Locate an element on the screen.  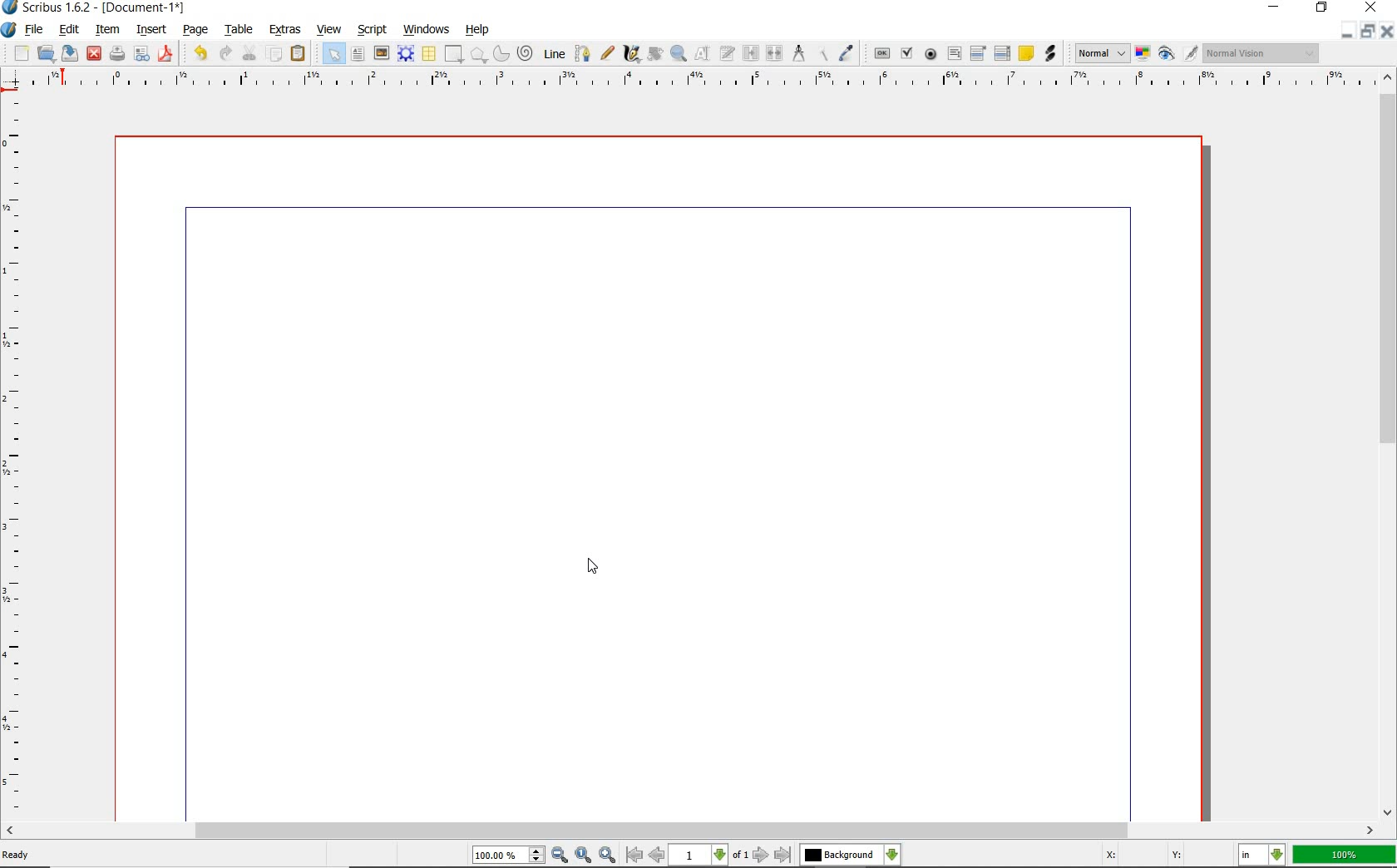
copy item properties is located at coordinates (824, 52).